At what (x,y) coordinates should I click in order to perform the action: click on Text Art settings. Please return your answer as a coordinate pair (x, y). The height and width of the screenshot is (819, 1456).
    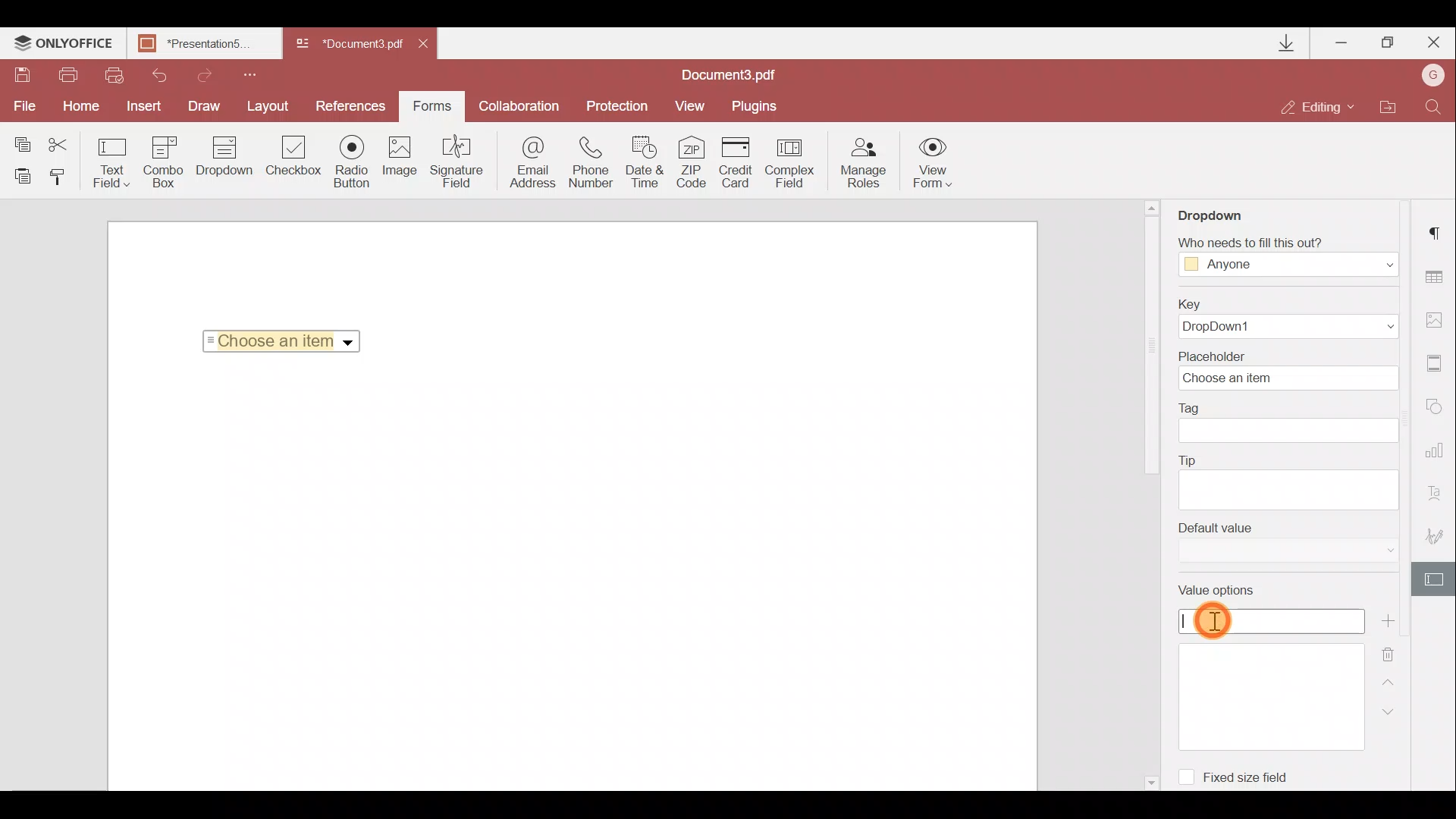
    Looking at the image, I should click on (1439, 497).